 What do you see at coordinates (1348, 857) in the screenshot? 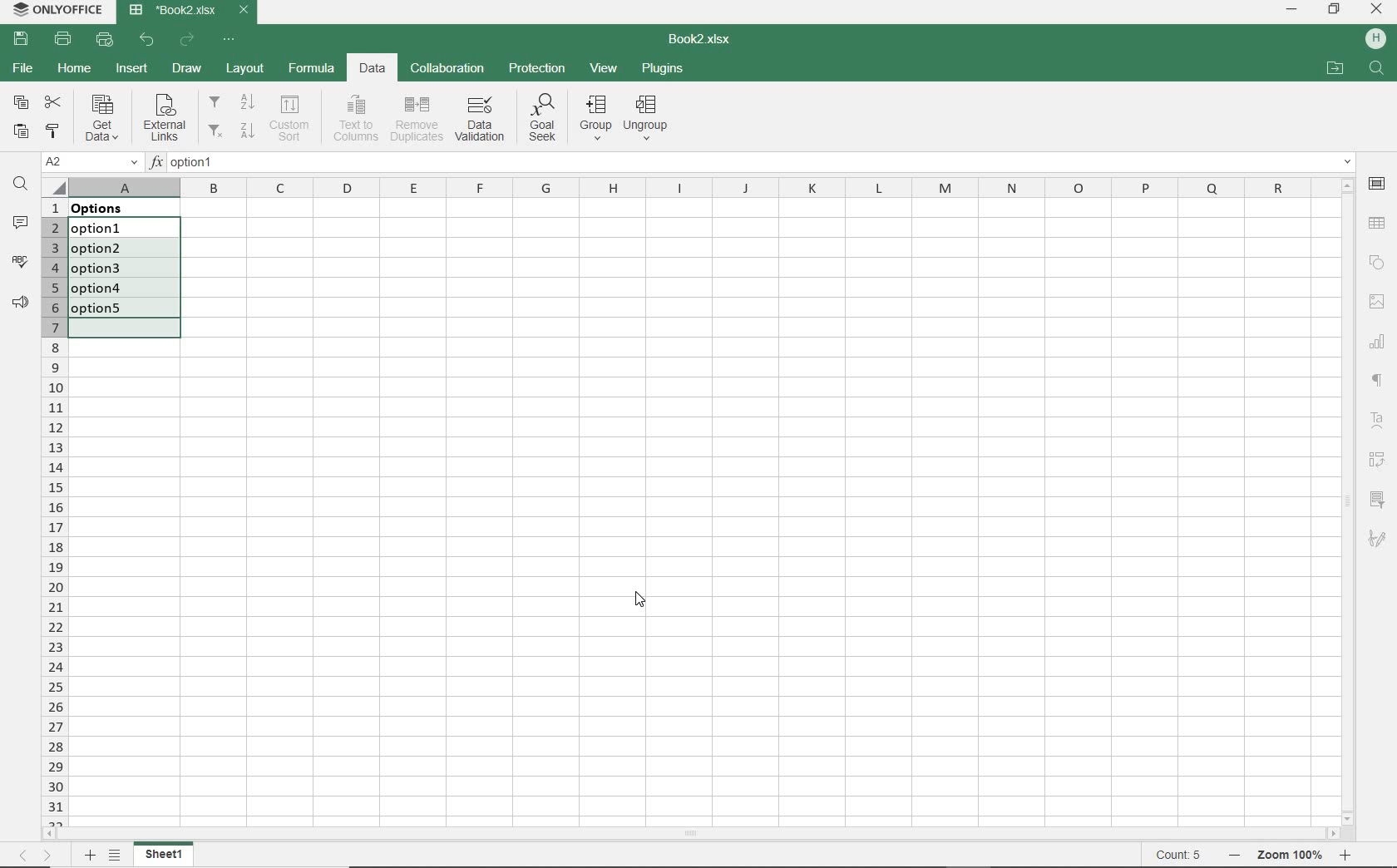
I see `Zoom in` at bounding box center [1348, 857].